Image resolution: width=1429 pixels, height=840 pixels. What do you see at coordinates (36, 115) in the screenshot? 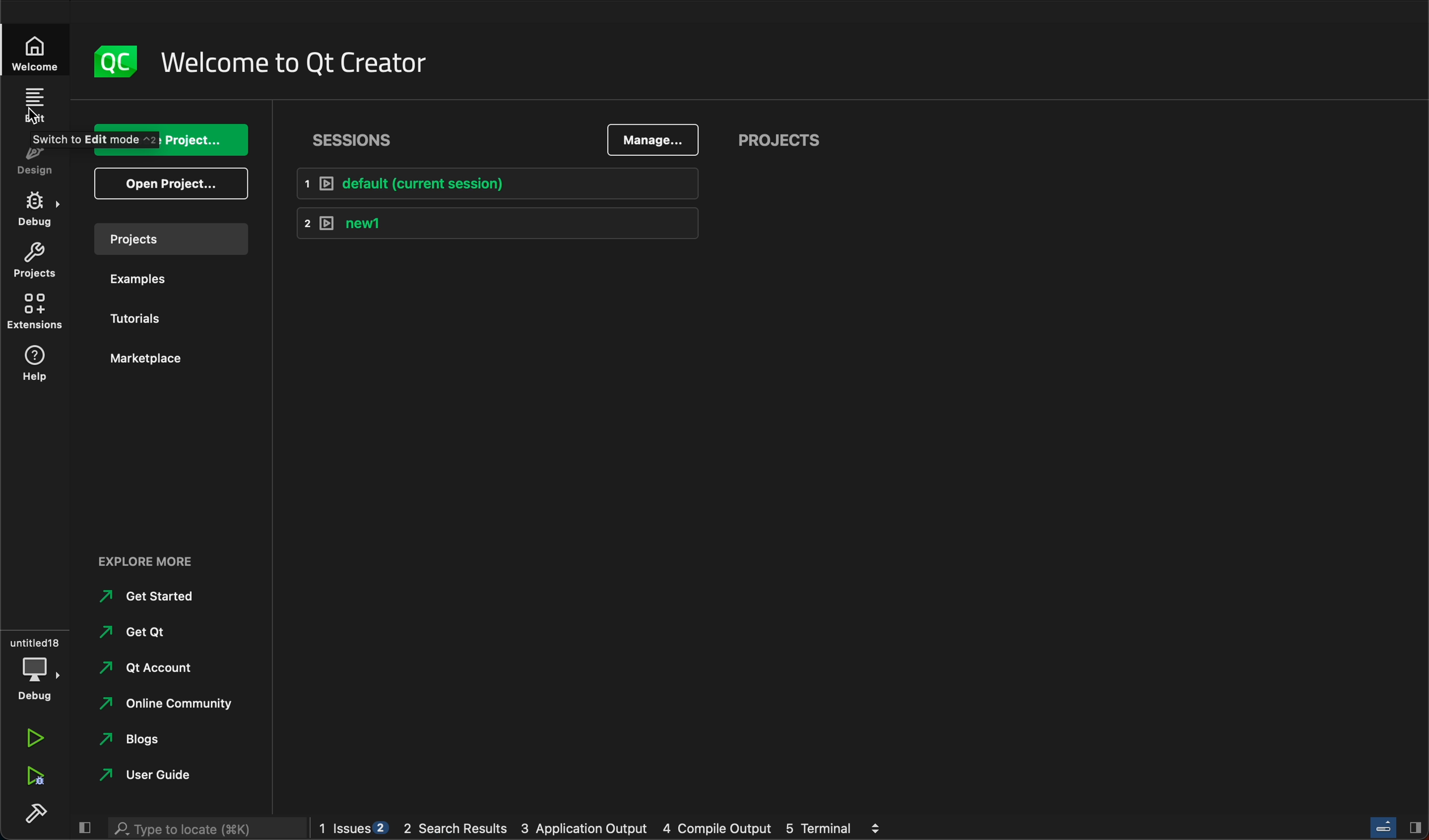
I see `cursor` at bounding box center [36, 115].